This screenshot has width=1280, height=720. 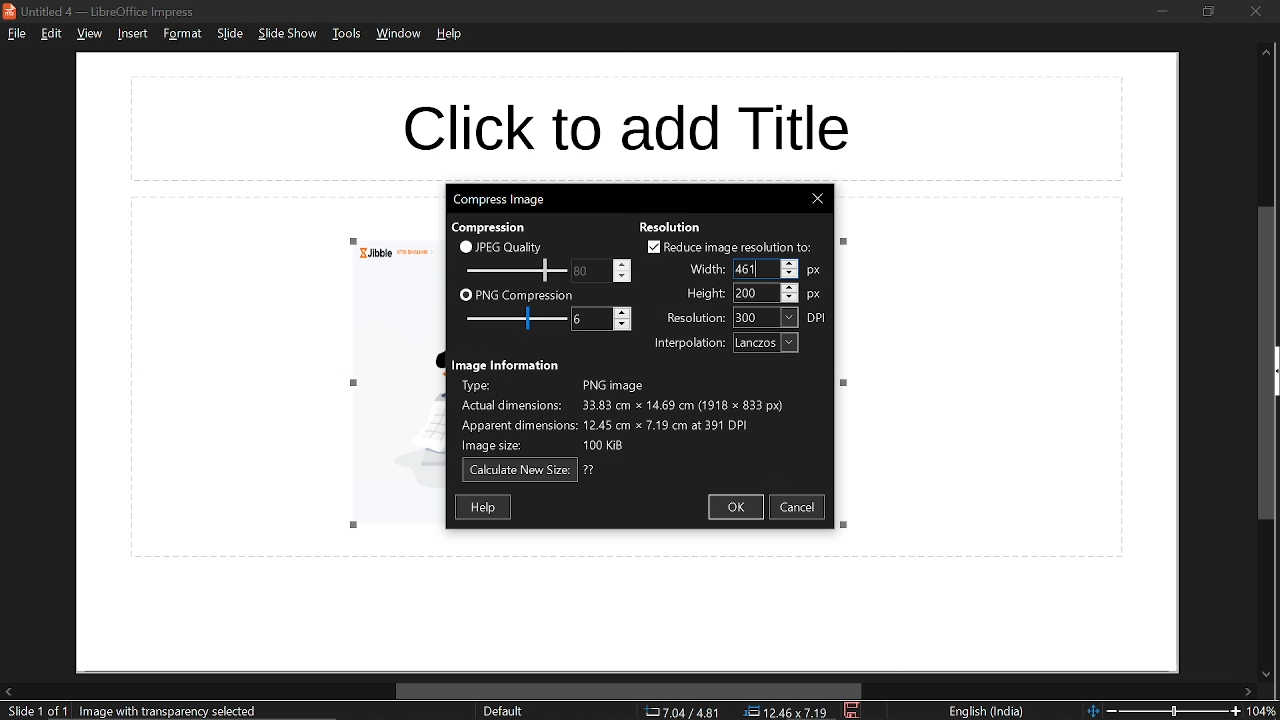 I want to click on format, so click(x=182, y=34).